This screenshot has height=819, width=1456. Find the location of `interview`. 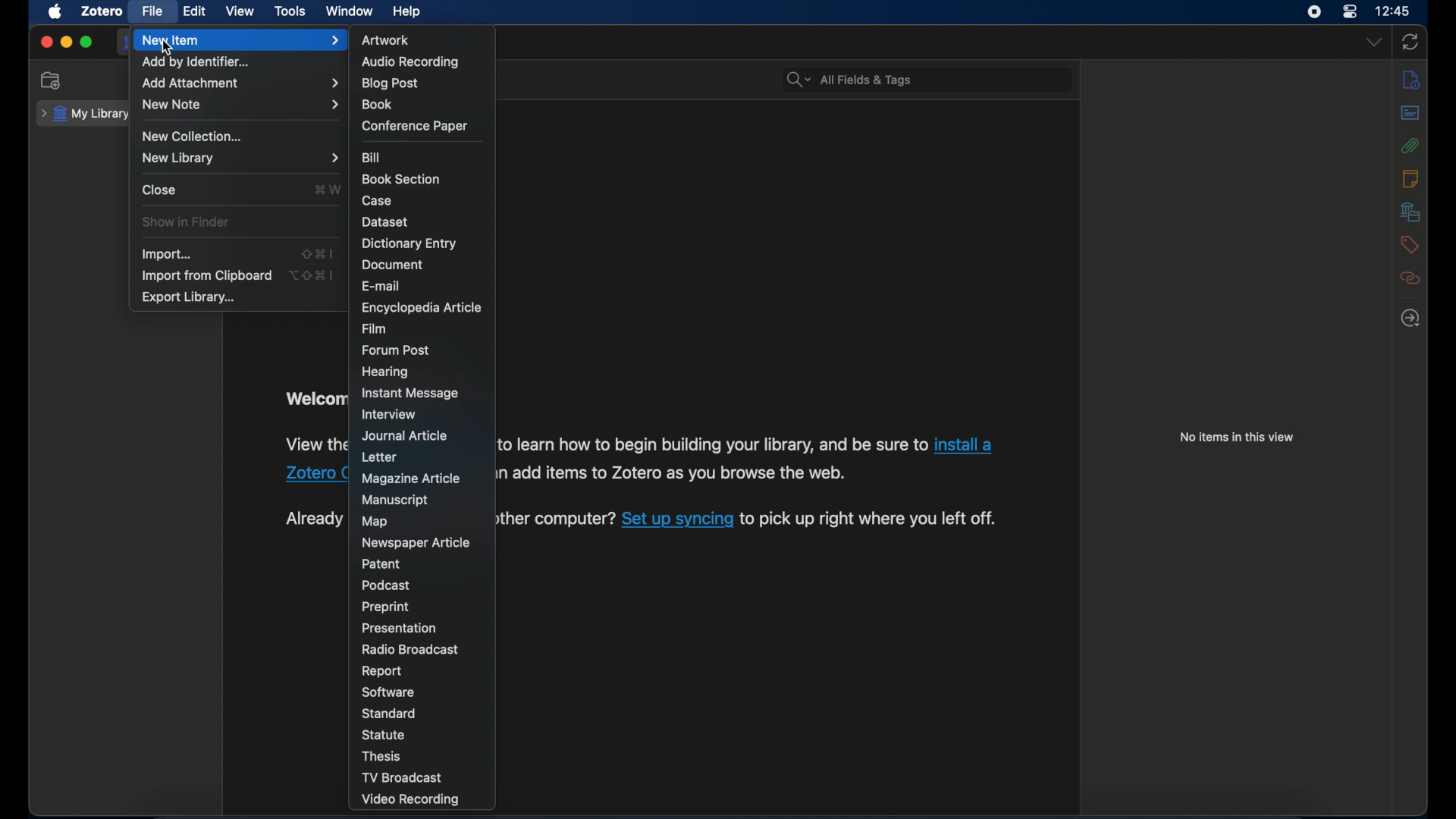

interview is located at coordinates (390, 414).